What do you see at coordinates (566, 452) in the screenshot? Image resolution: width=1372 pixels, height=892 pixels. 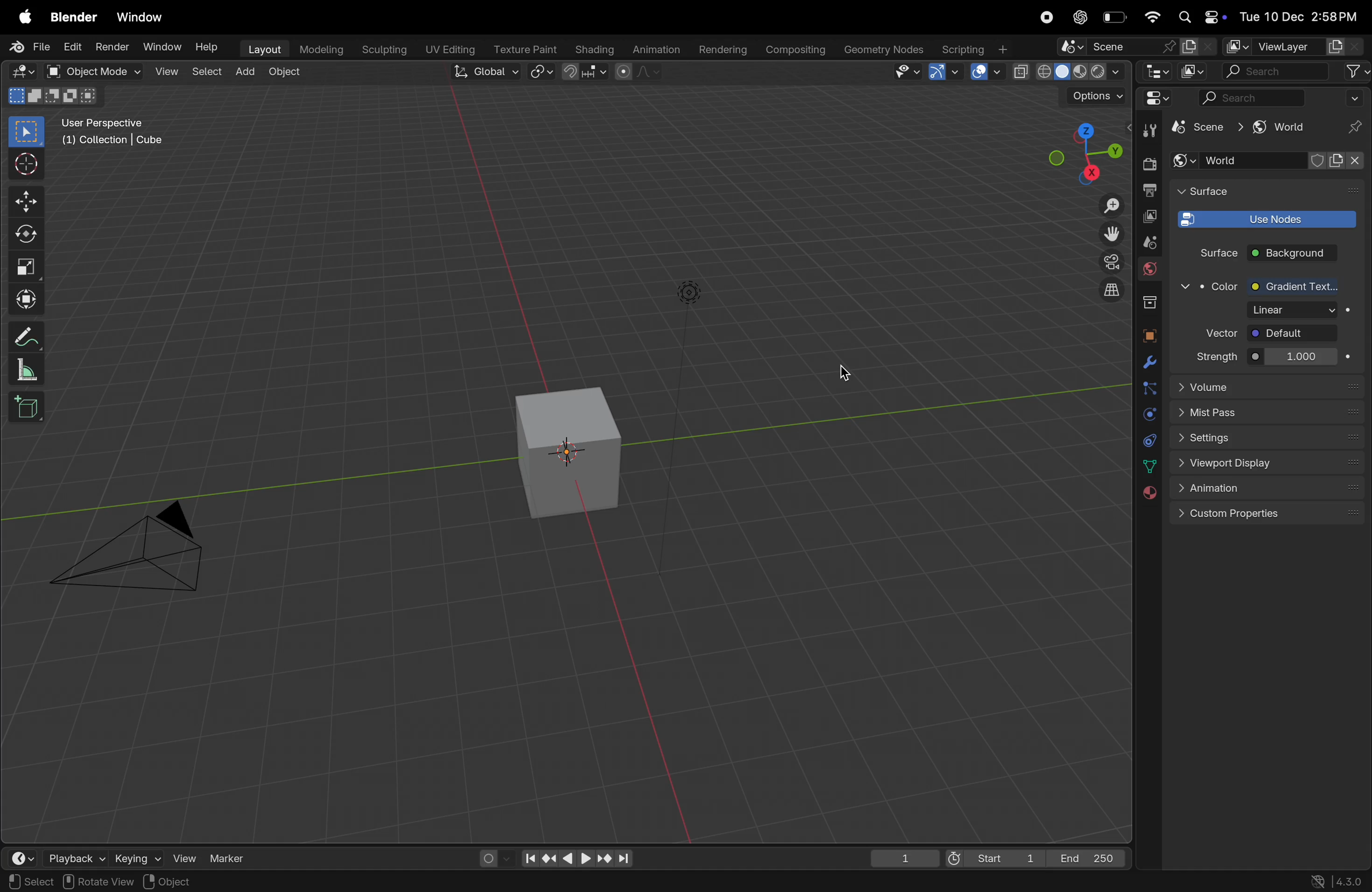 I see `3d cube` at bounding box center [566, 452].